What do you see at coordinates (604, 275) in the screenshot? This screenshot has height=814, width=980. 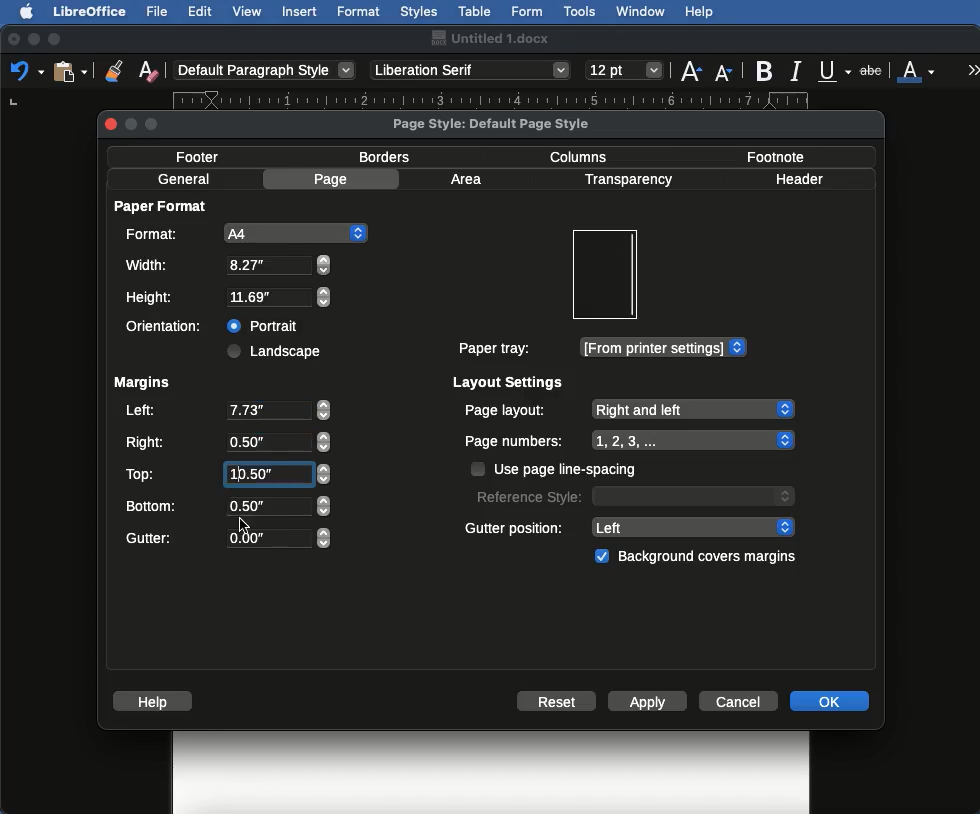 I see `Preview` at bounding box center [604, 275].